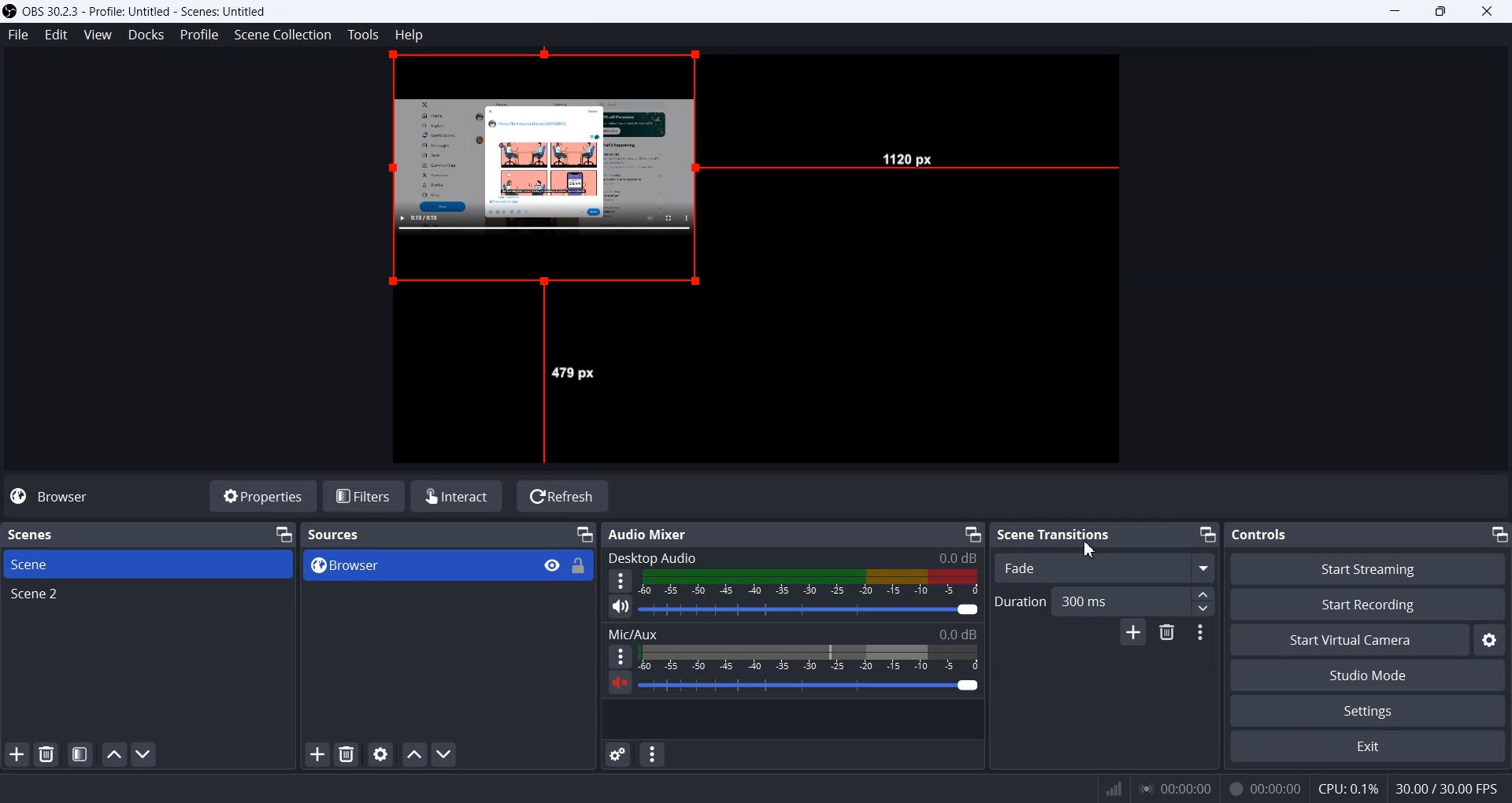  Describe the element at coordinates (285, 534) in the screenshot. I see `Minimize` at that location.